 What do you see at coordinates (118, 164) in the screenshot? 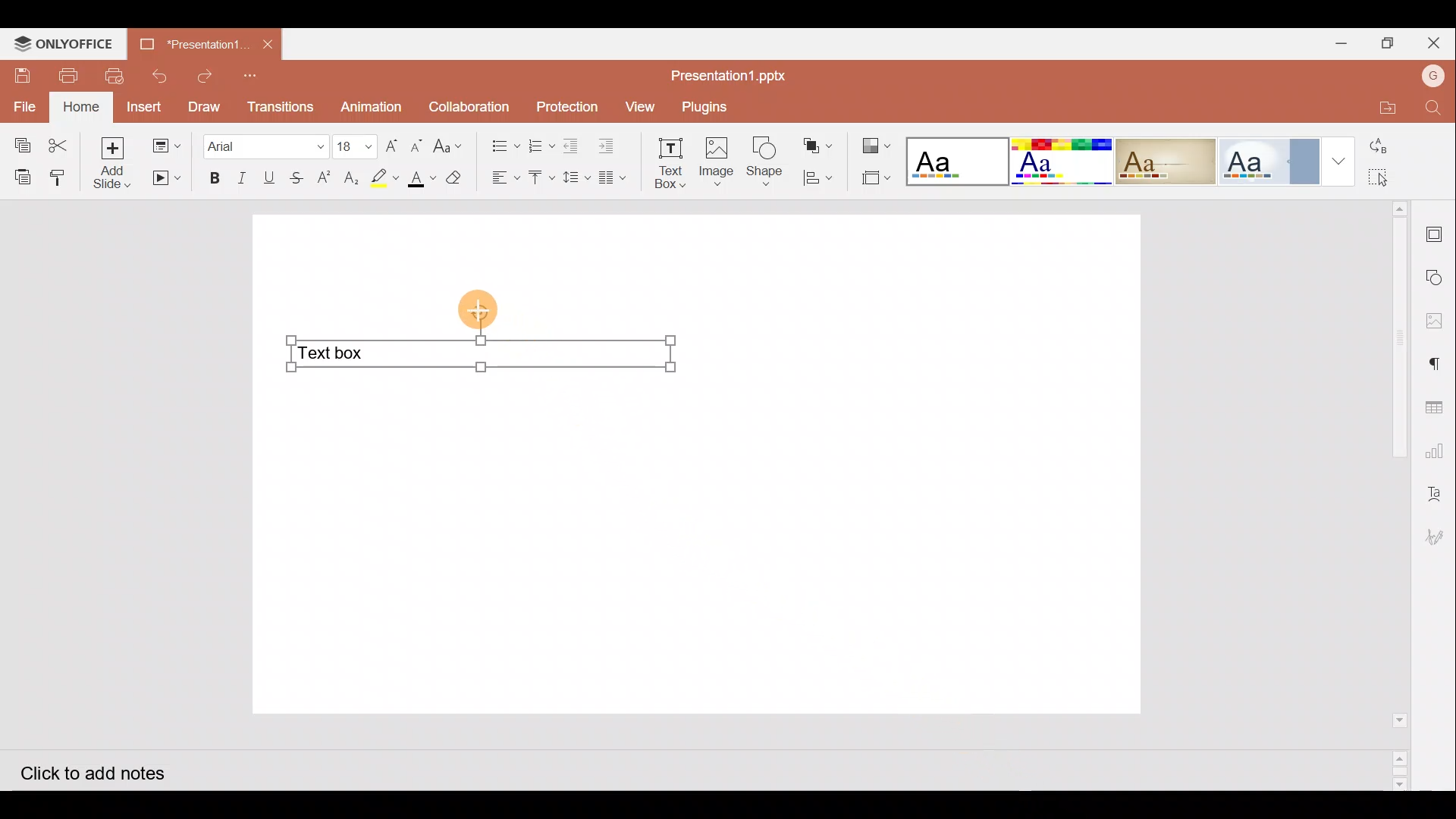
I see `Add slide` at bounding box center [118, 164].